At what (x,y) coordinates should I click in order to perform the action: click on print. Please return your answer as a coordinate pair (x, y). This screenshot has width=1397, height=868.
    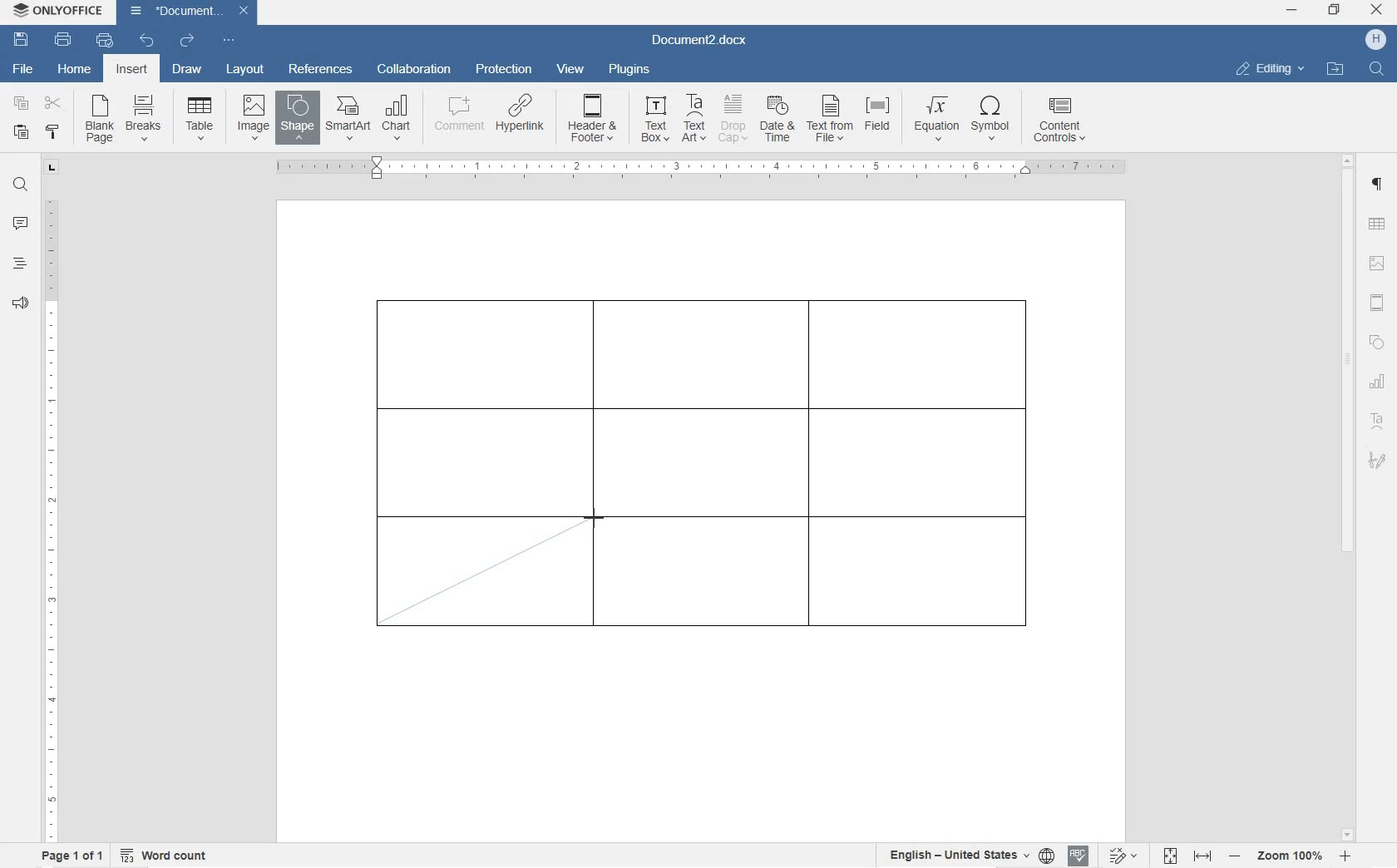
    Looking at the image, I should click on (64, 39).